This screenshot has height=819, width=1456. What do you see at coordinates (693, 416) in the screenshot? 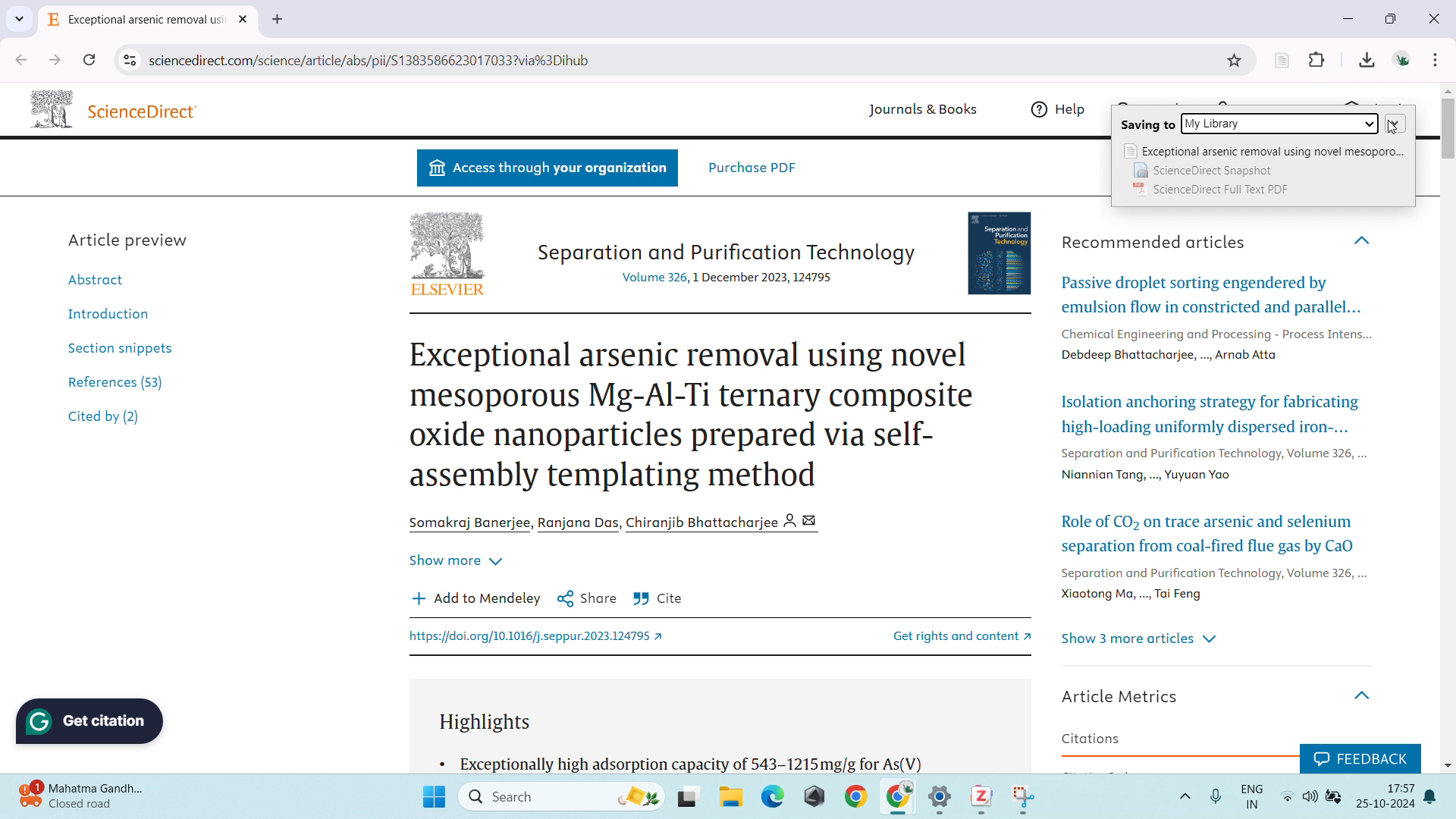
I see `Exceptional arsenic removal using novel mesoporous Mg-Al-Ti ternary composite oxide nanoparticles prepared via self-assembly templating method` at bounding box center [693, 416].